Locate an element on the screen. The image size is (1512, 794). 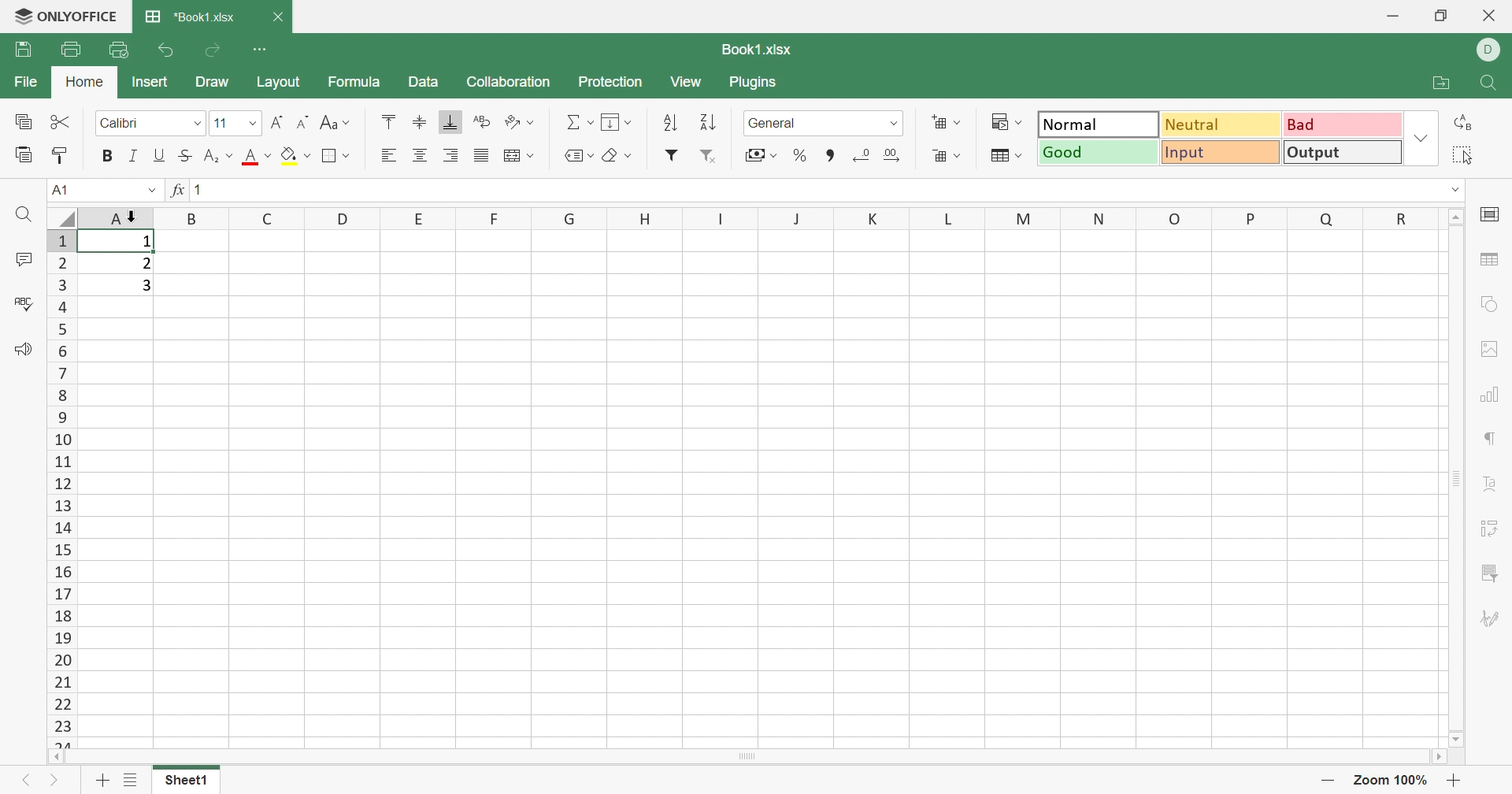
Print file is located at coordinates (72, 50).